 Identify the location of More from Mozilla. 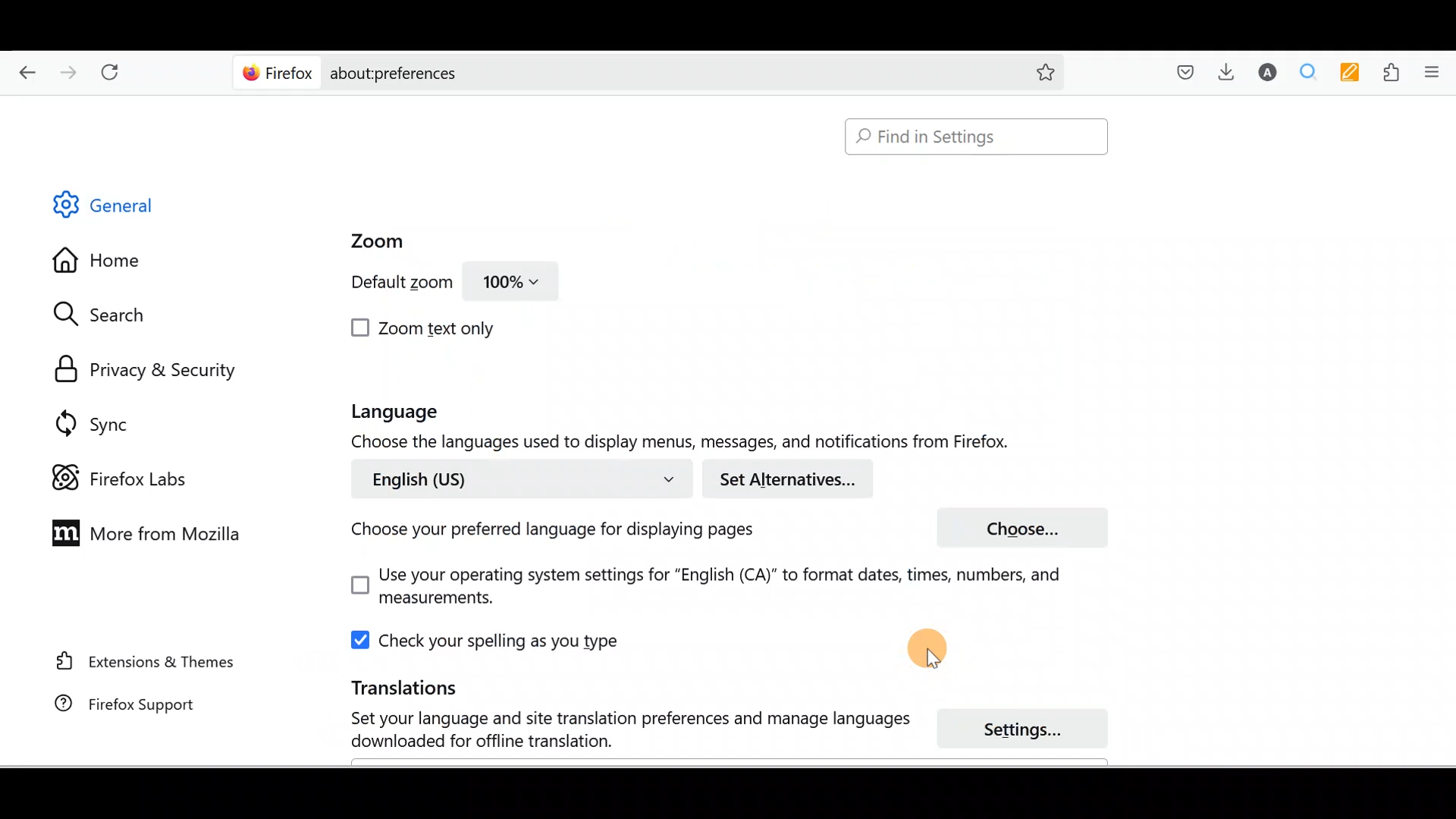
(142, 532).